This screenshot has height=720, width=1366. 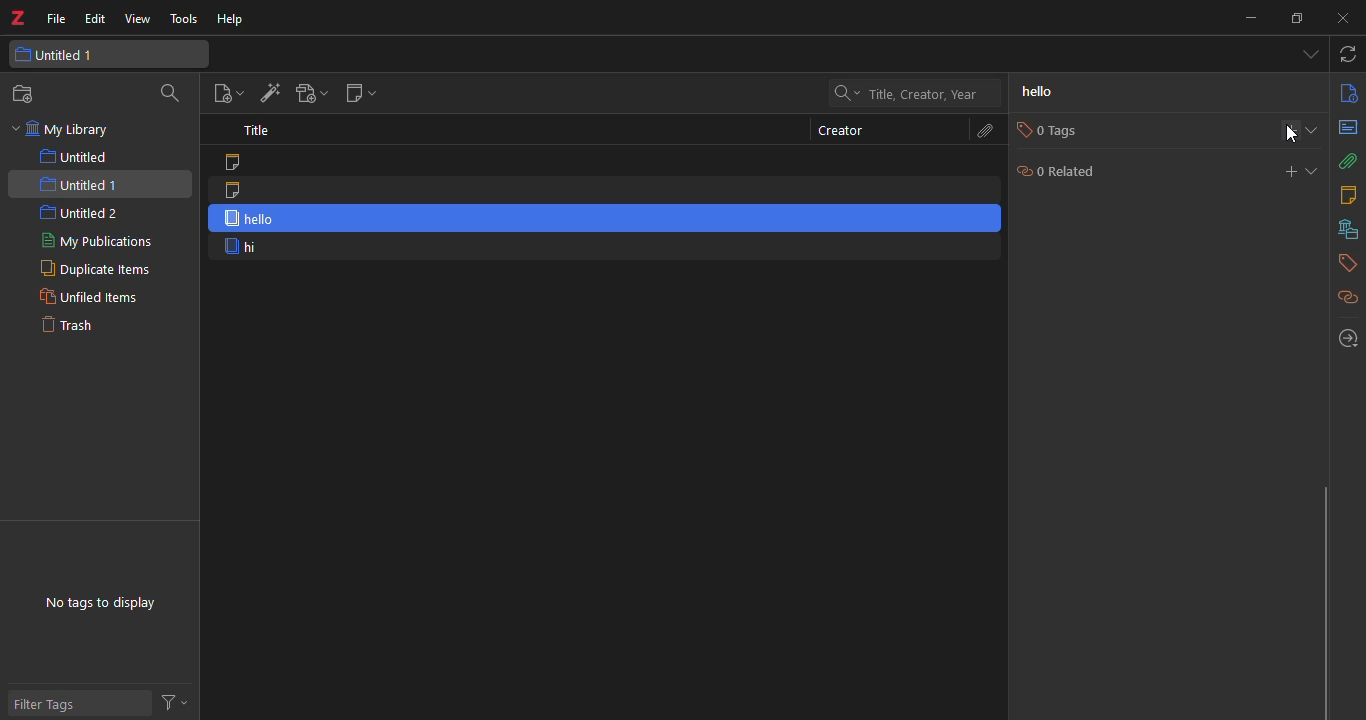 What do you see at coordinates (56, 703) in the screenshot?
I see `filter tags` at bounding box center [56, 703].